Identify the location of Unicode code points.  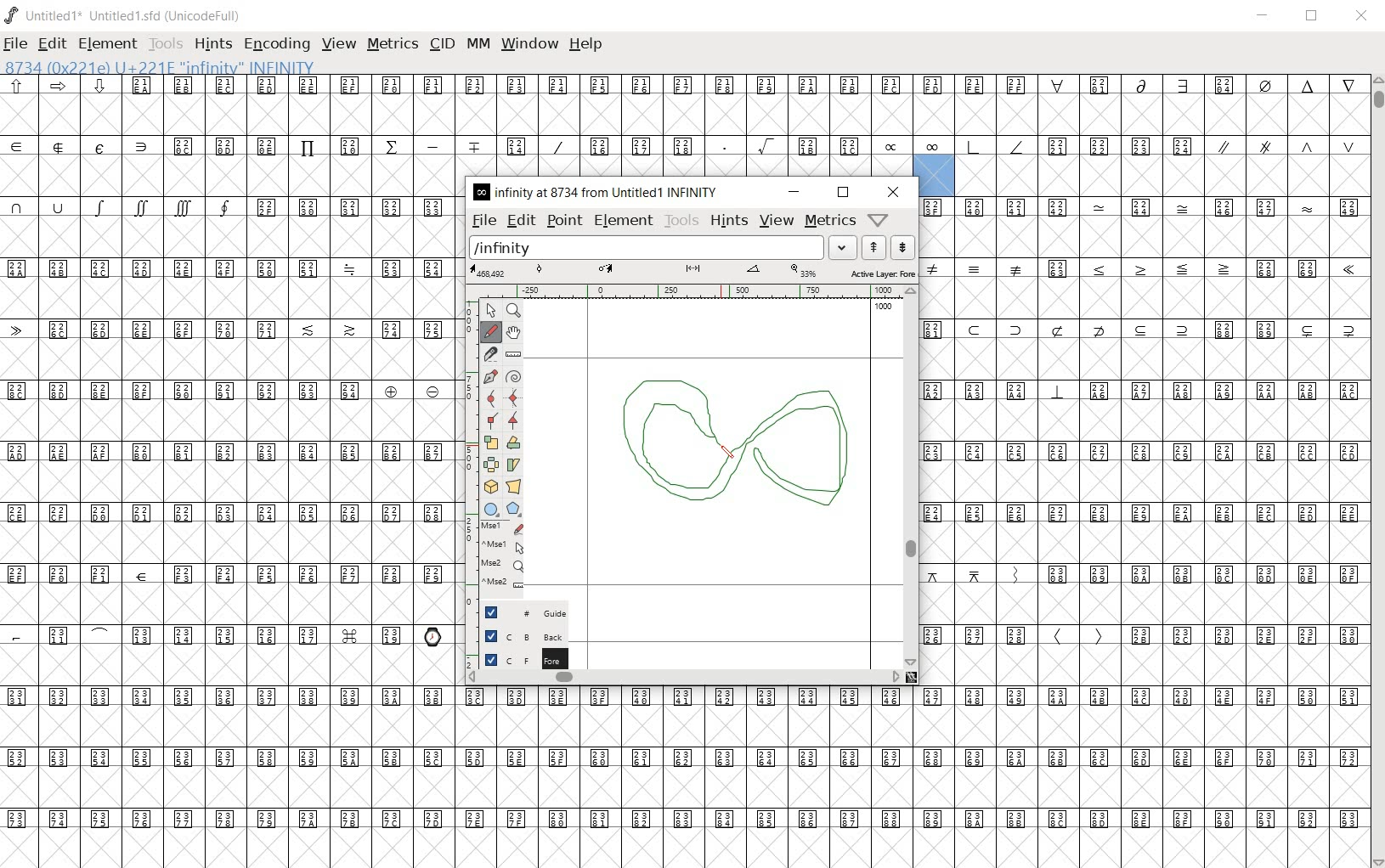
(226, 330).